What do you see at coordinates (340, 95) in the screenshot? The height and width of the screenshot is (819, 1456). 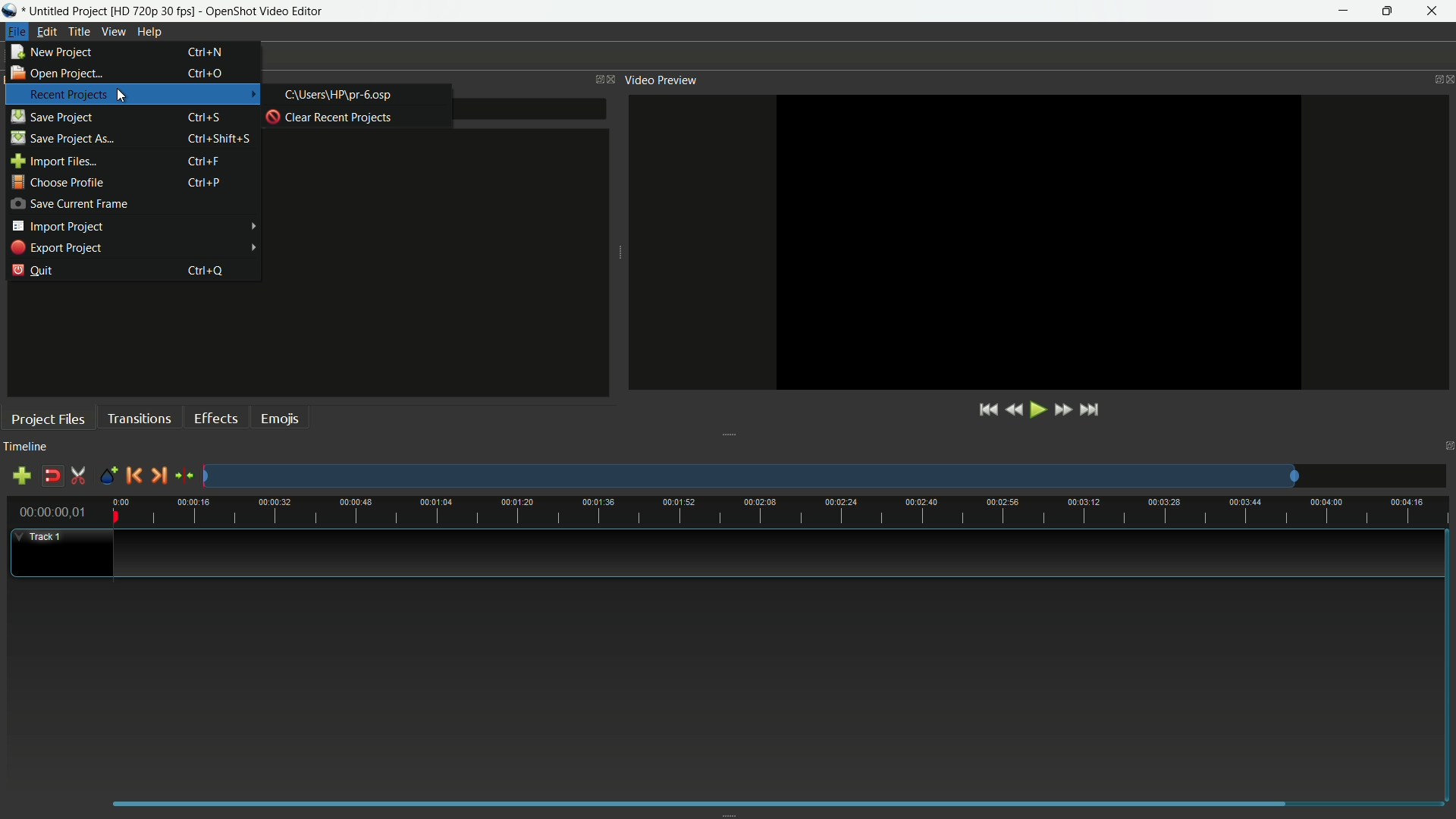 I see `recent project` at bounding box center [340, 95].